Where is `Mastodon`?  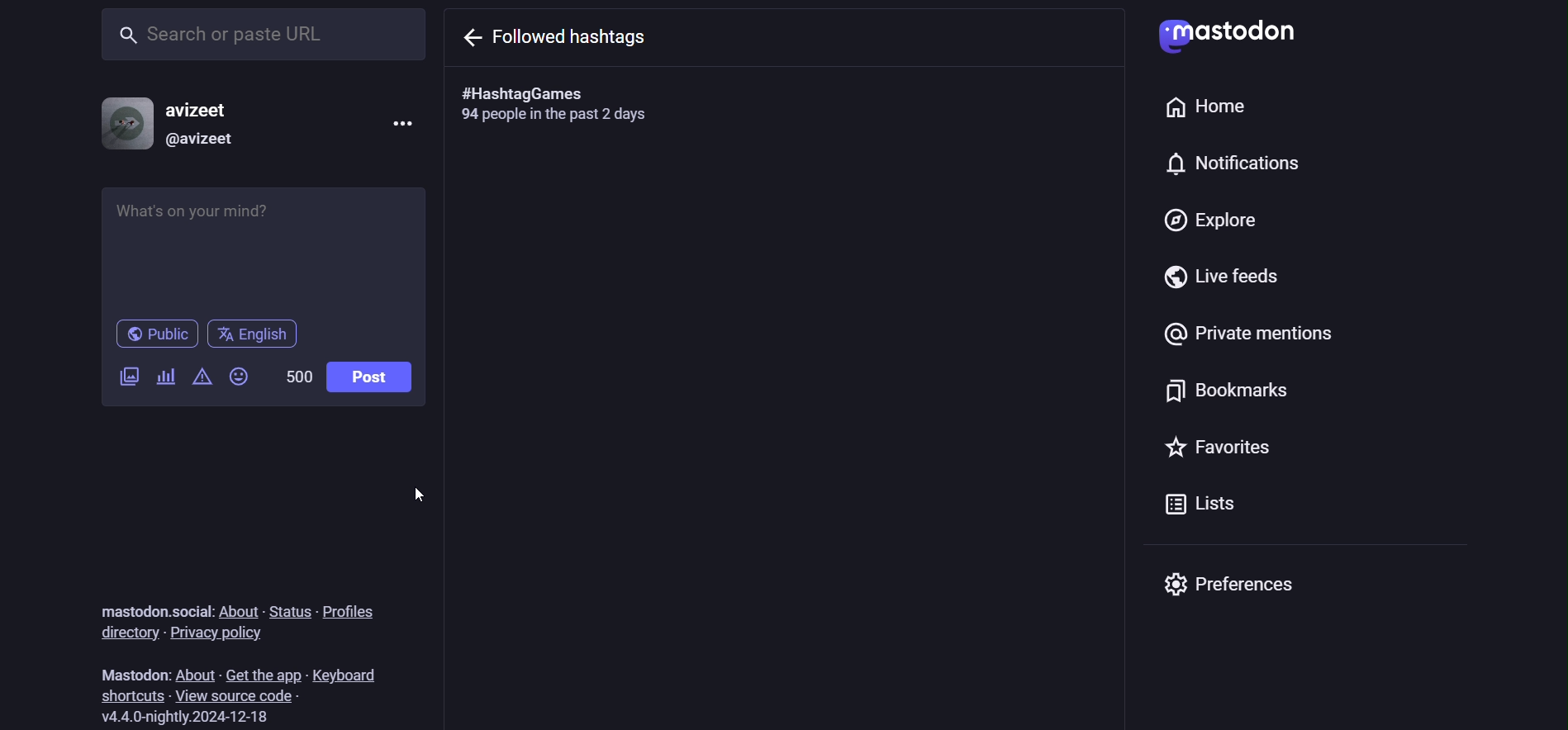 Mastodon is located at coordinates (129, 673).